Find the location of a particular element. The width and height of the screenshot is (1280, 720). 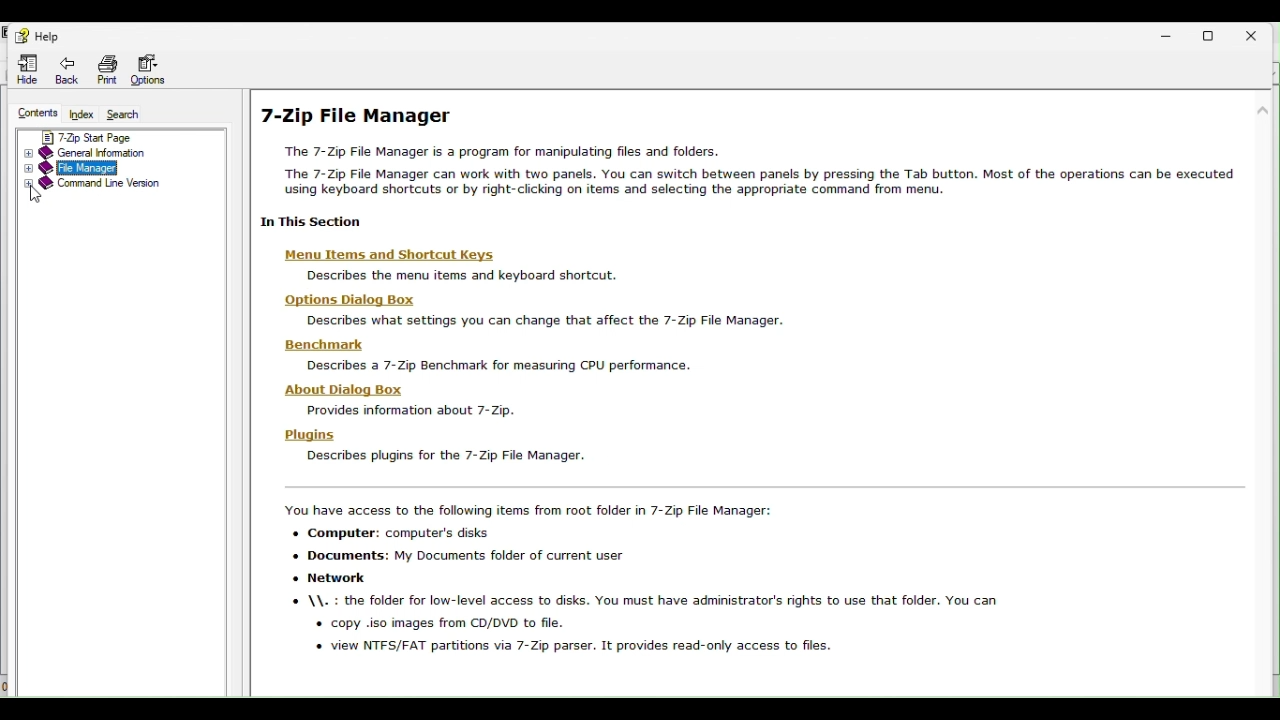

Menu Items and Shortcut Keys is located at coordinates (392, 255).